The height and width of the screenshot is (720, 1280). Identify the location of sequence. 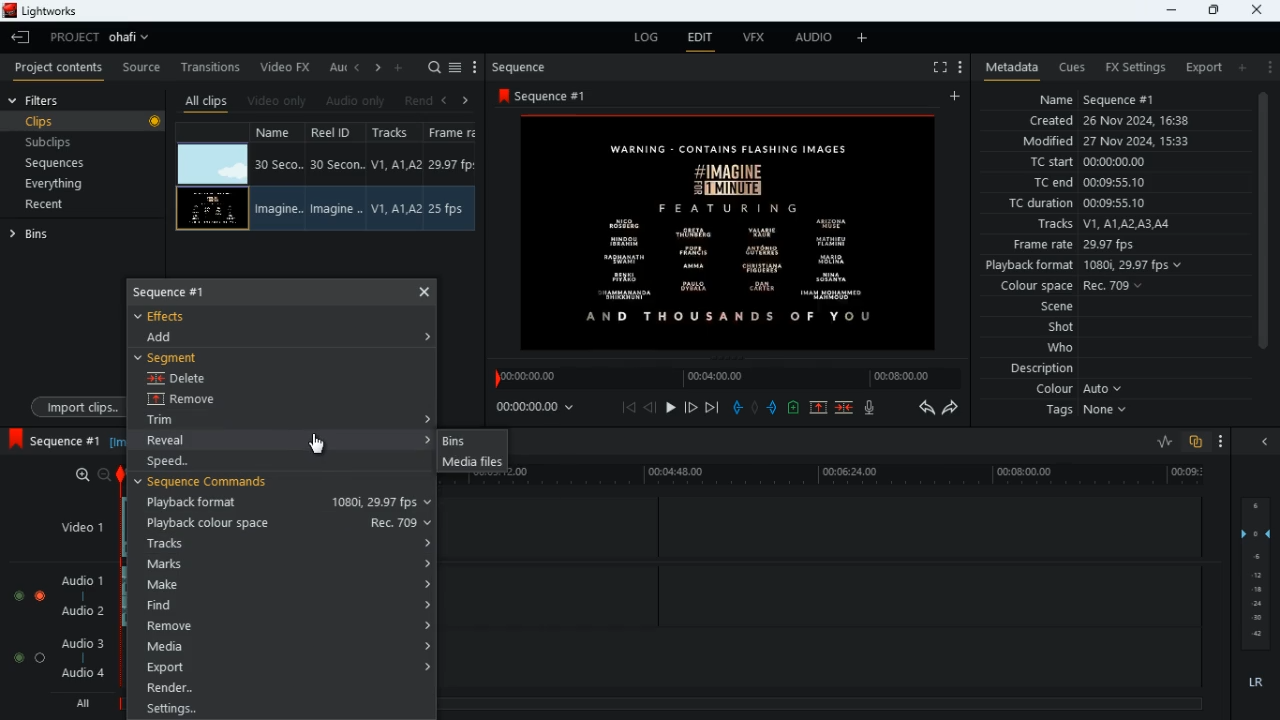
(548, 96).